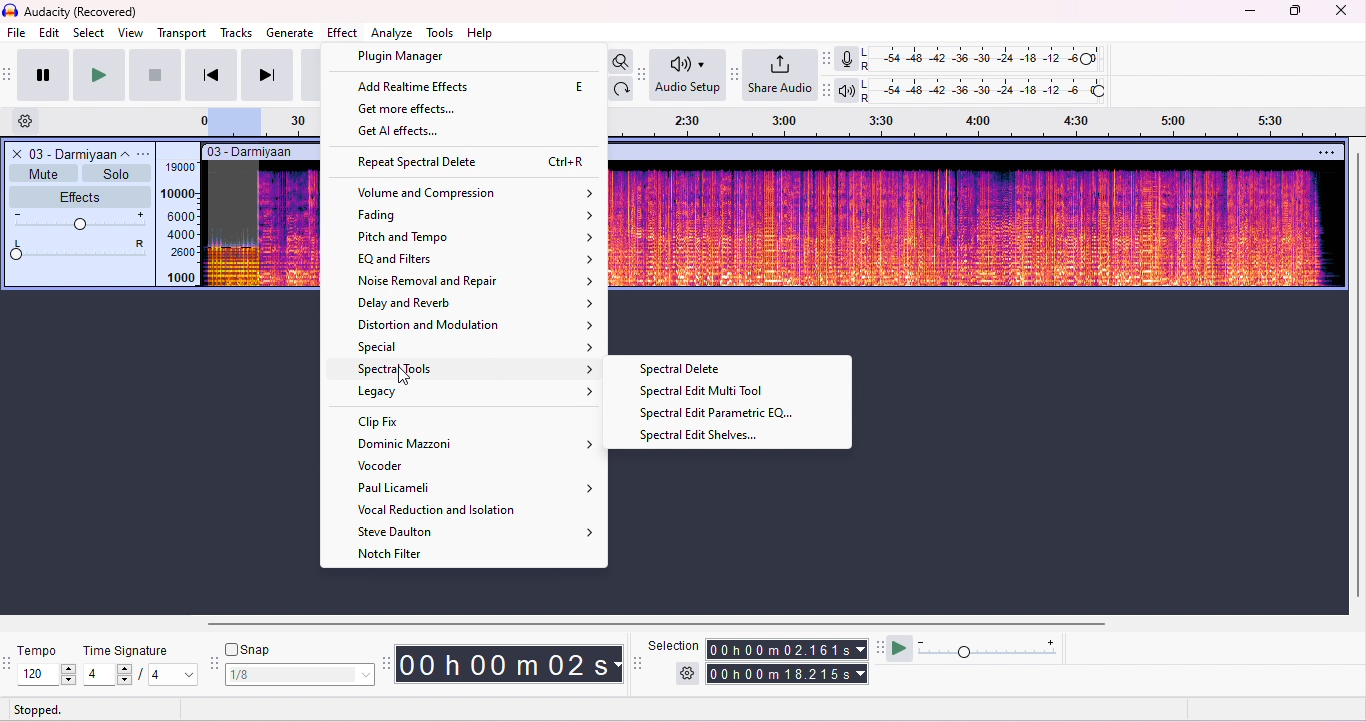 Image resolution: width=1366 pixels, height=722 pixels. Describe the element at coordinates (1357, 376) in the screenshot. I see `vertical scroll bar` at that location.